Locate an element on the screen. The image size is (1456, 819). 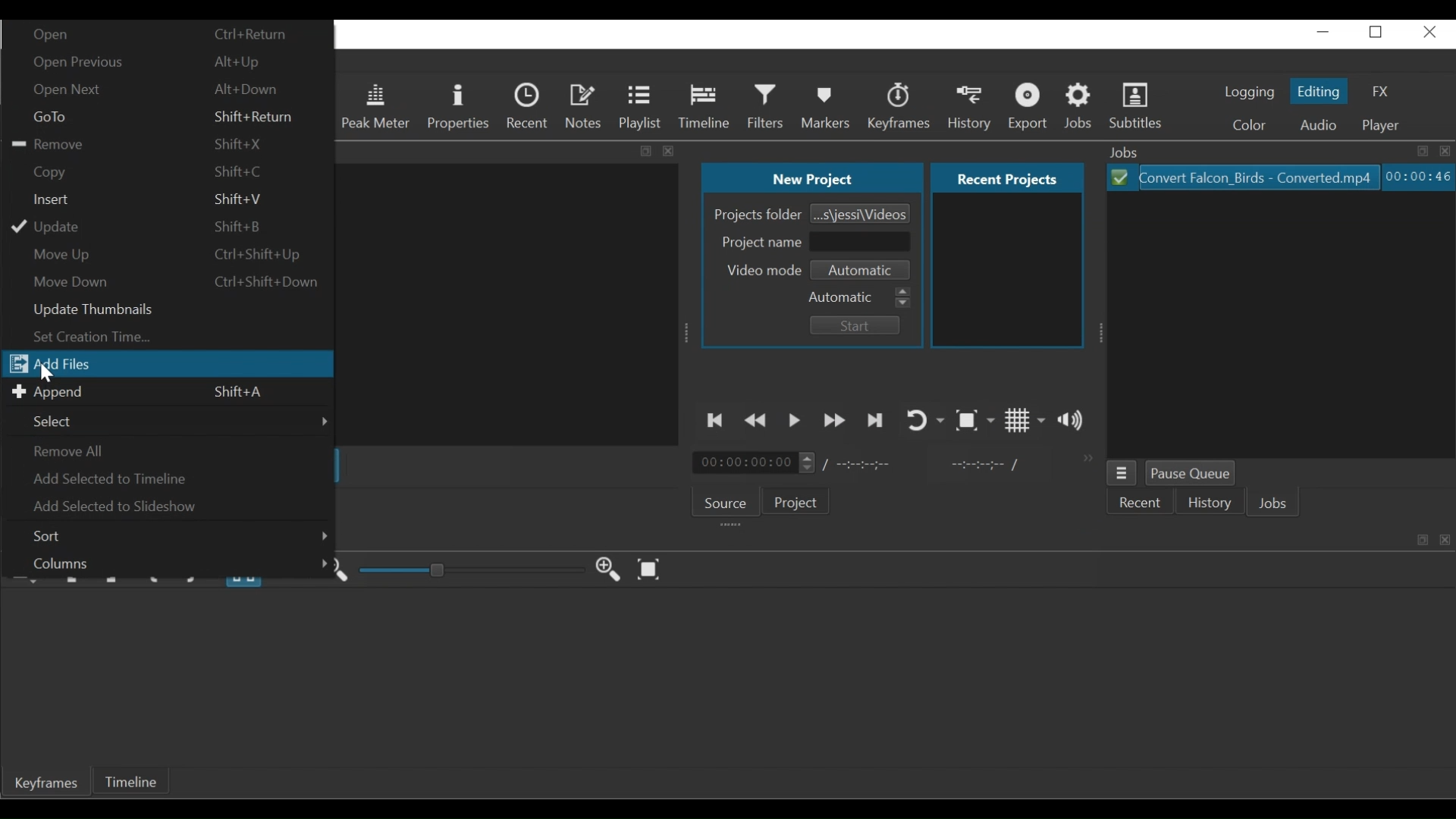
New Project is located at coordinates (811, 177).